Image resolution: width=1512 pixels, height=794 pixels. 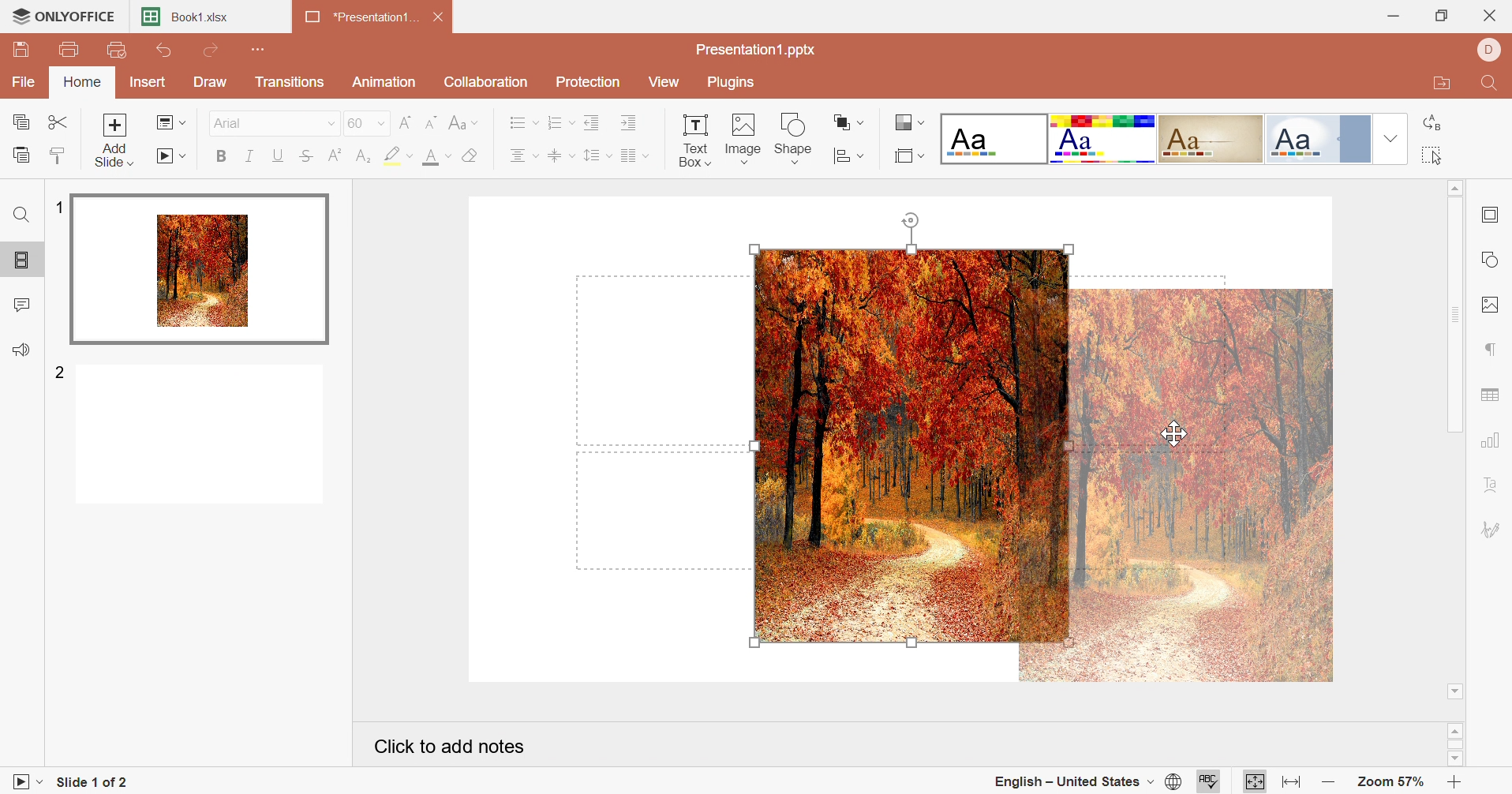 What do you see at coordinates (1318, 139) in the screenshot?
I see `Official` at bounding box center [1318, 139].